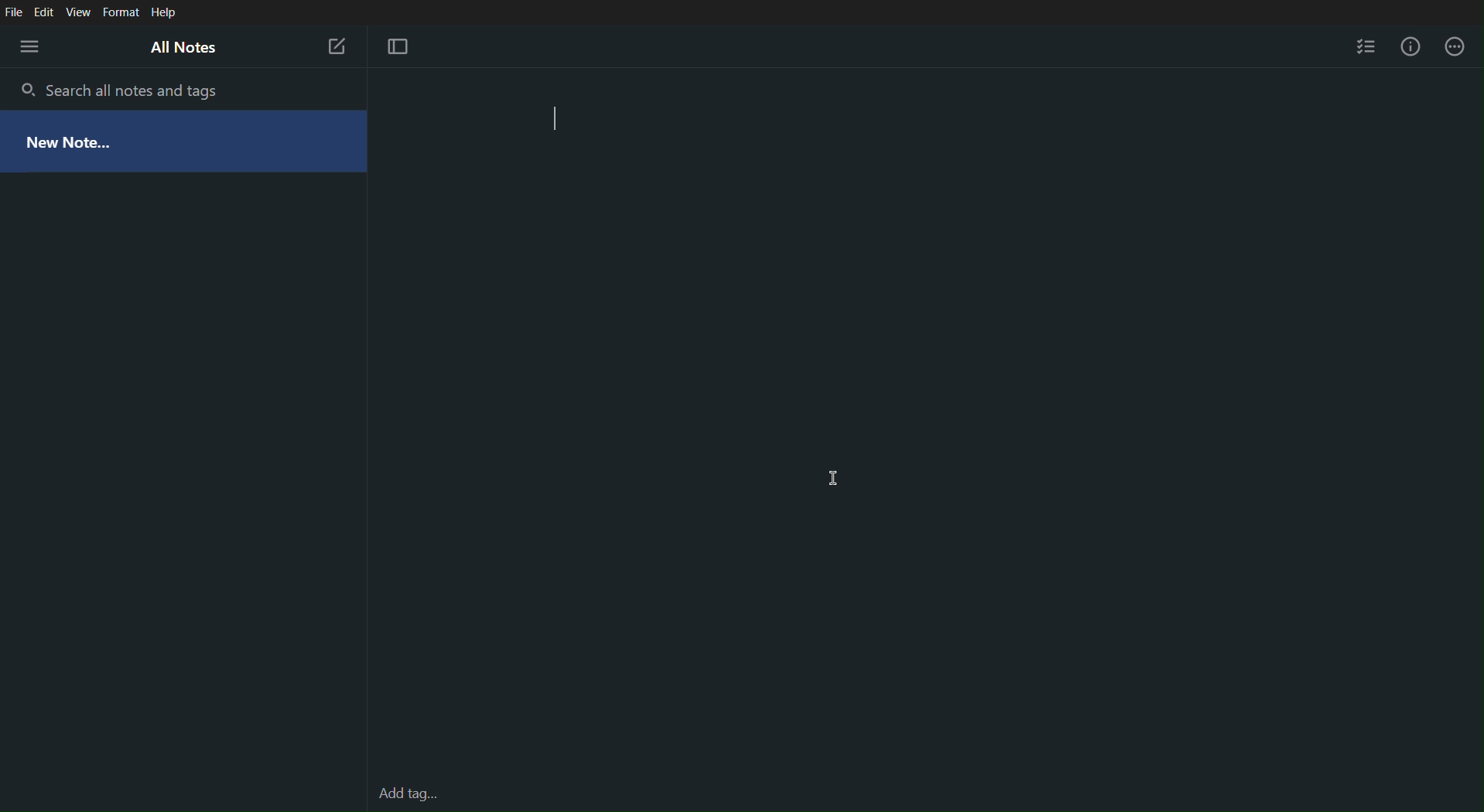  What do you see at coordinates (81, 11) in the screenshot?
I see `View` at bounding box center [81, 11].